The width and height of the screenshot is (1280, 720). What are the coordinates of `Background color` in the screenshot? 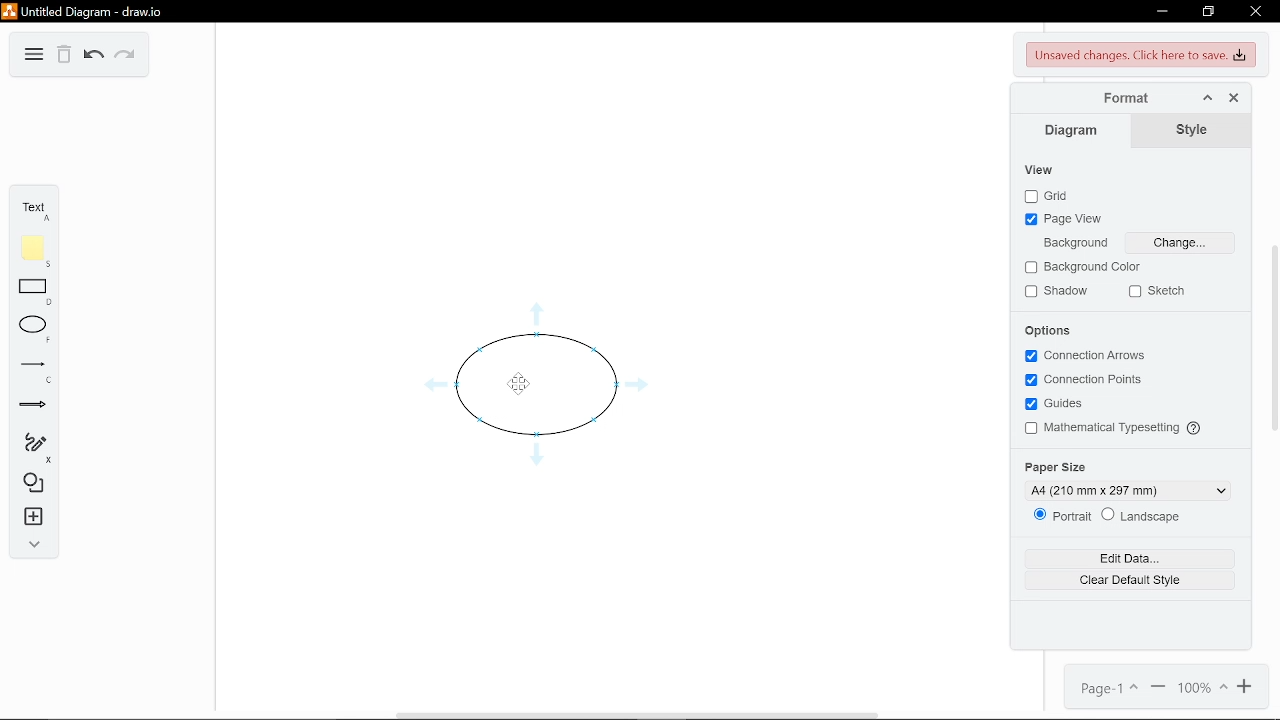 It's located at (1094, 267).